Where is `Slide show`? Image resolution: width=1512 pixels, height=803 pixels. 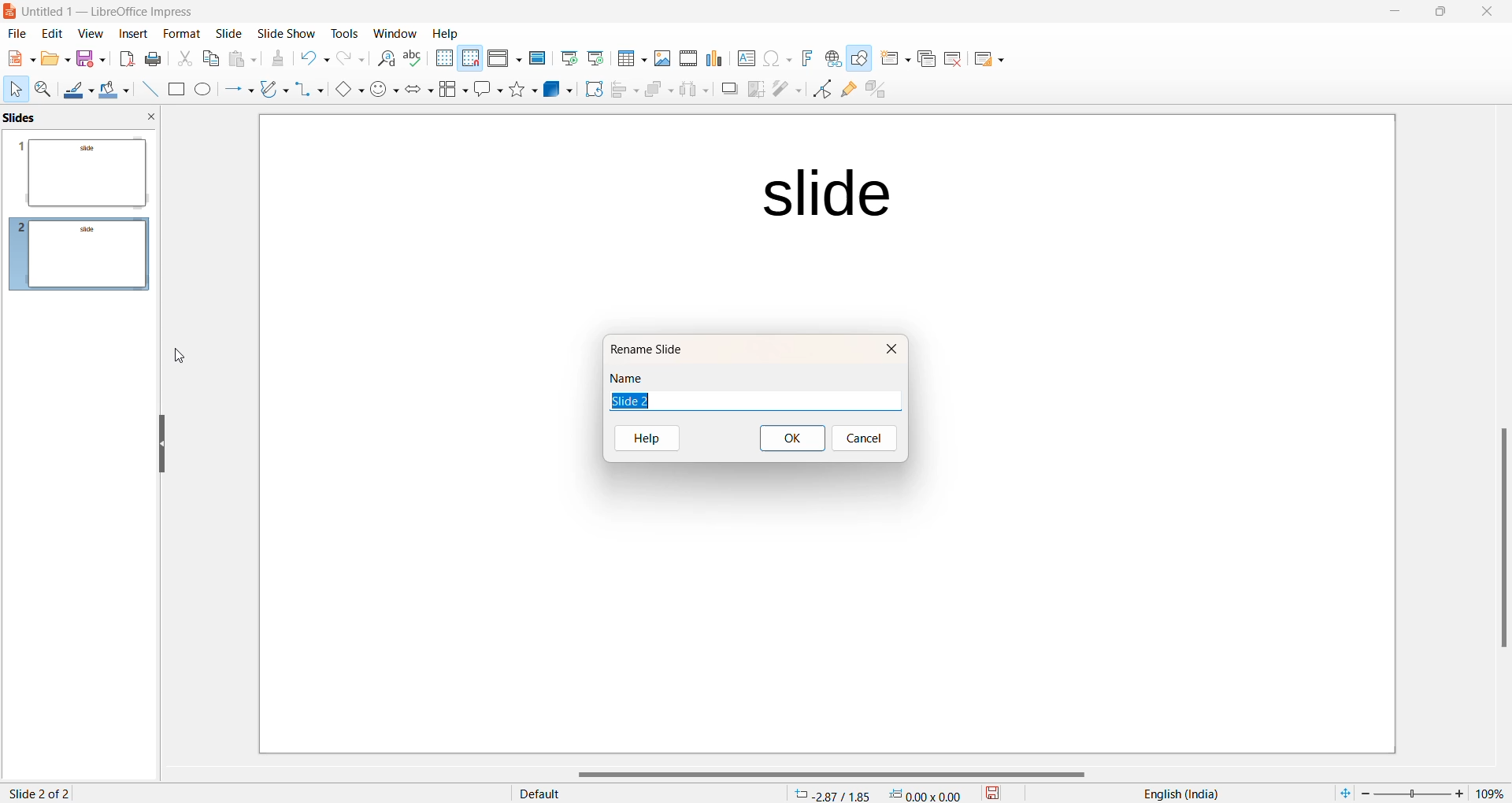 Slide show is located at coordinates (285, 31).